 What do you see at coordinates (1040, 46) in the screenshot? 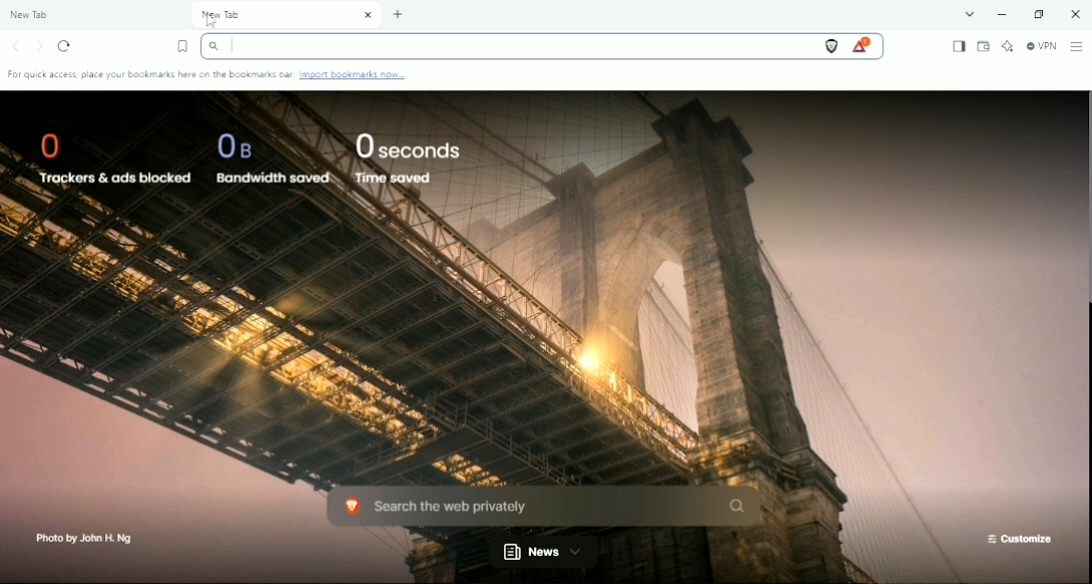
I see `Brave Firewall +  VPN` at bounding box center [1040, 46].